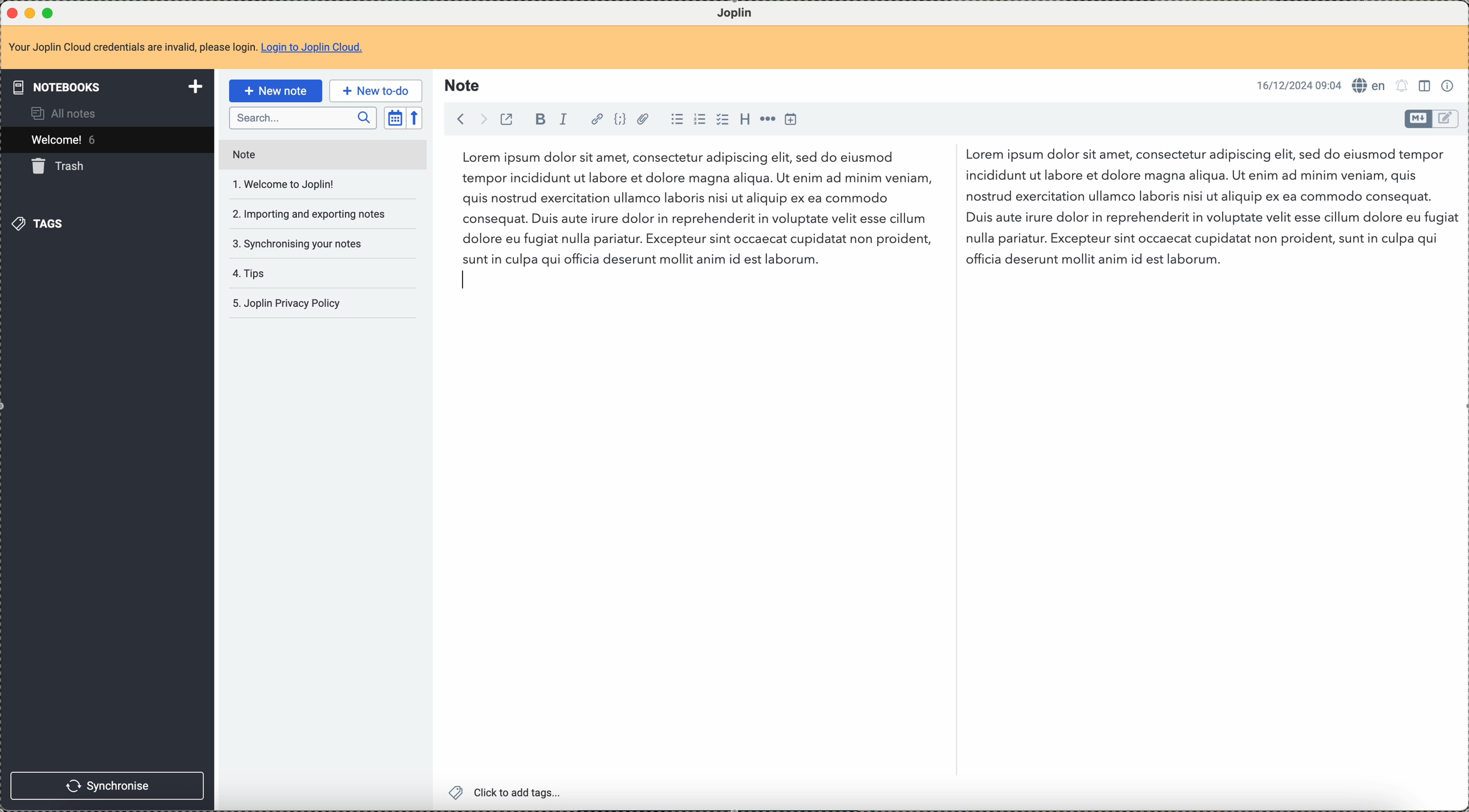 The height and width of the screenshot is (812, 1469). I want to click on bulleted list, so click(676, 121).